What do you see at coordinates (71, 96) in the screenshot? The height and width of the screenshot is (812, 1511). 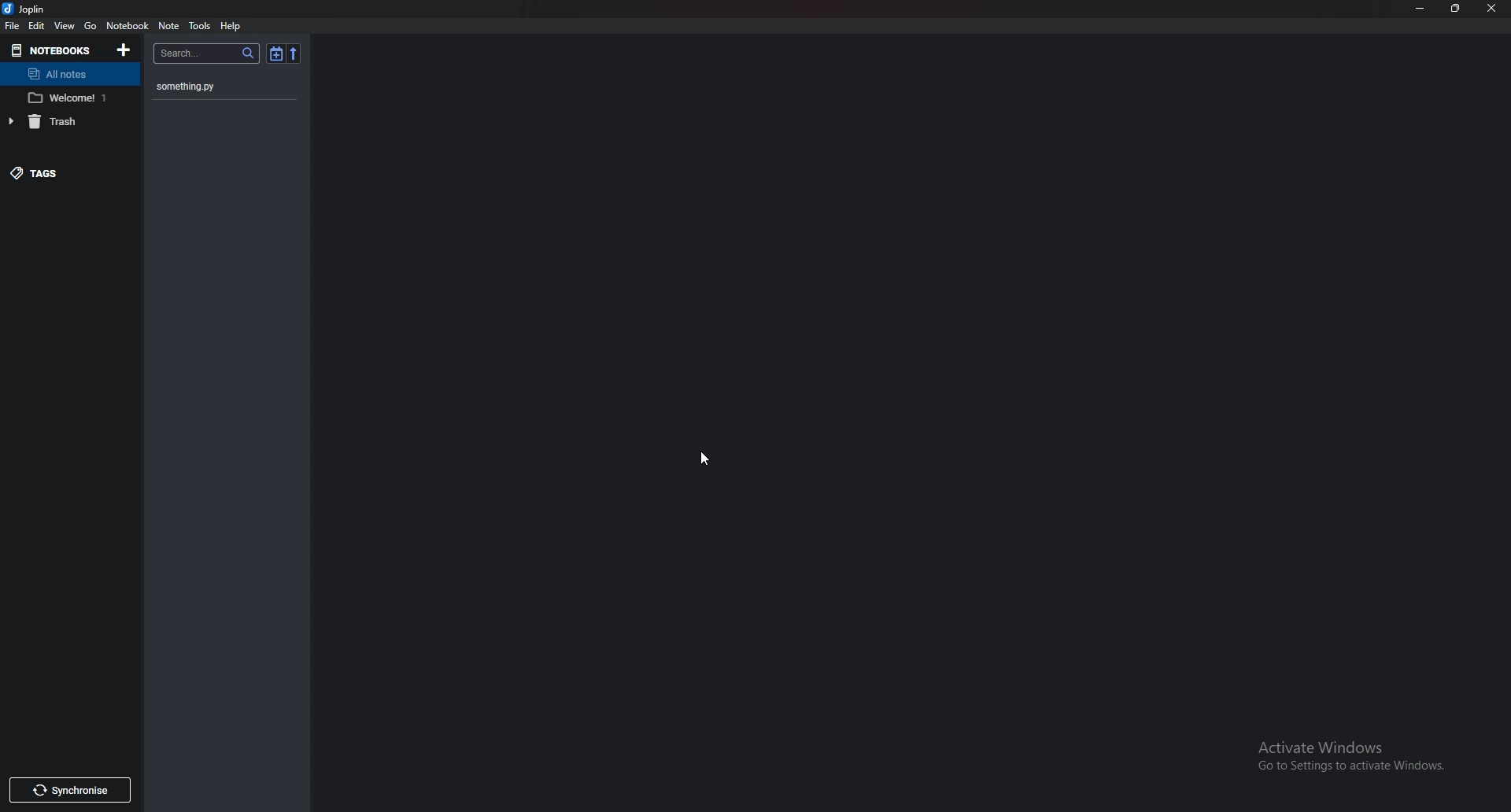 I see `Welcome 1` at bounding box center [71, 96].